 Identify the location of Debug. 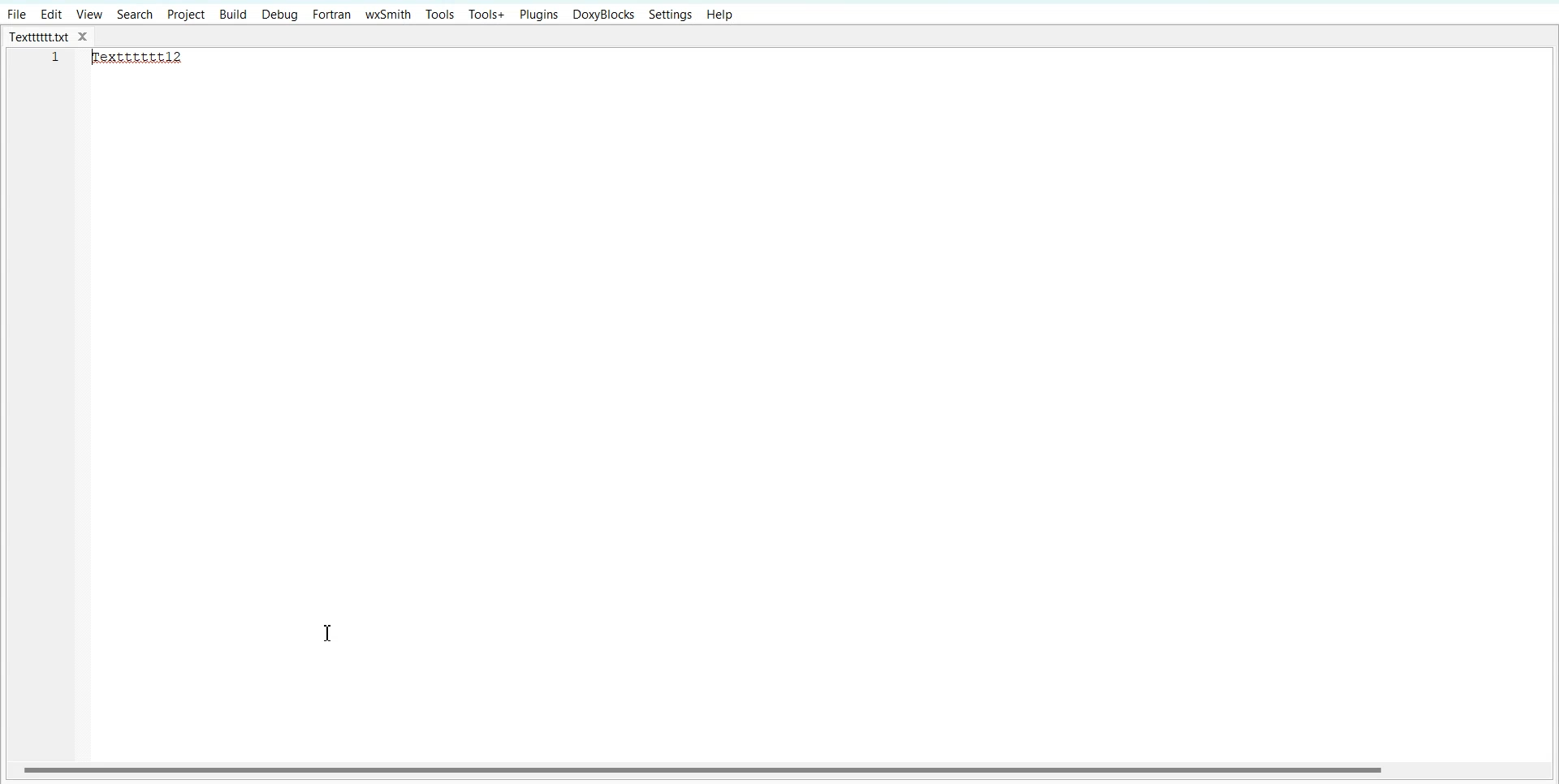
(279, 15).